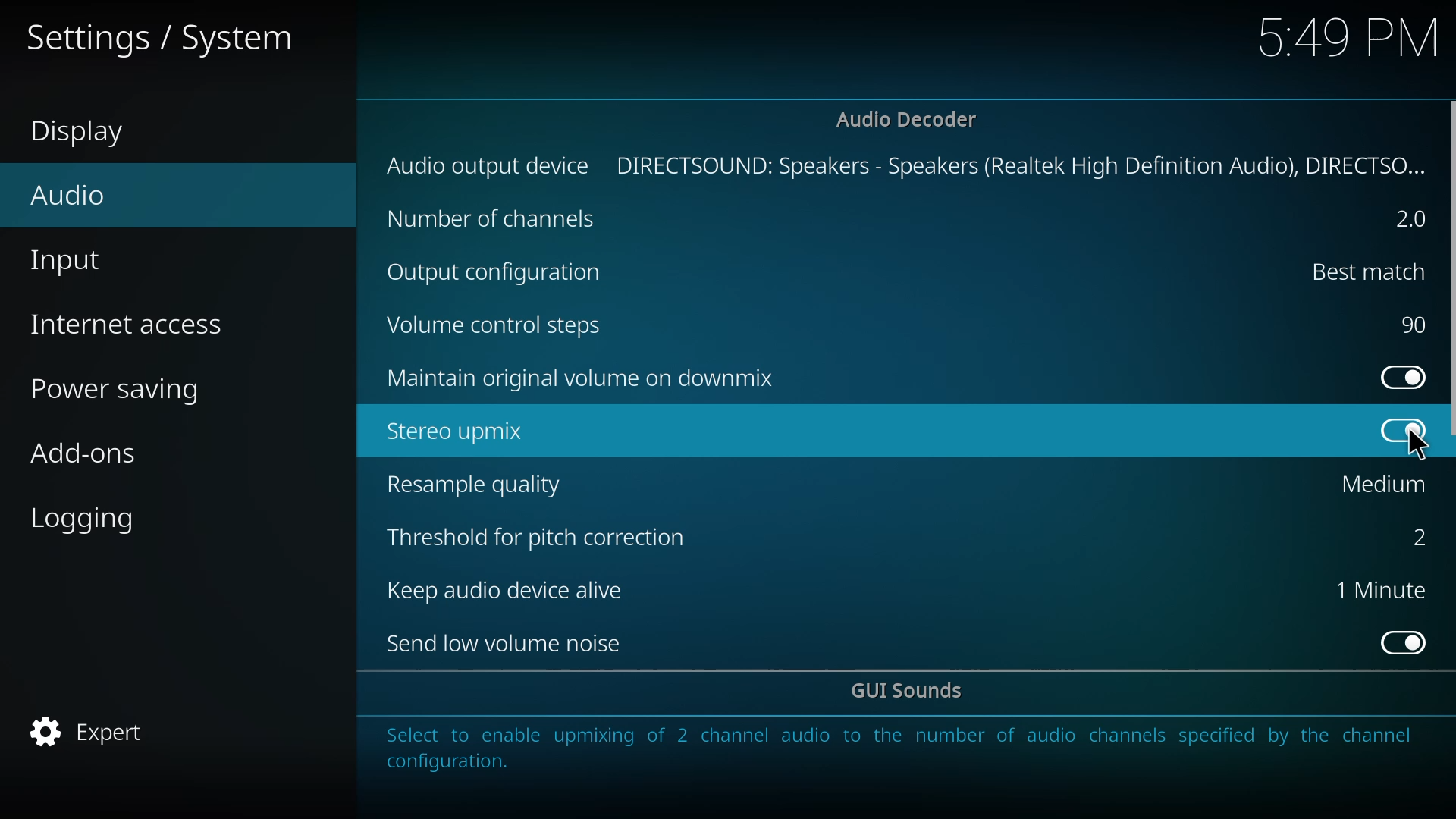 The image size is (1456, 819). Describe the element at coordinates (1417, 441) in the screenshot. I see `cursor` at that location.